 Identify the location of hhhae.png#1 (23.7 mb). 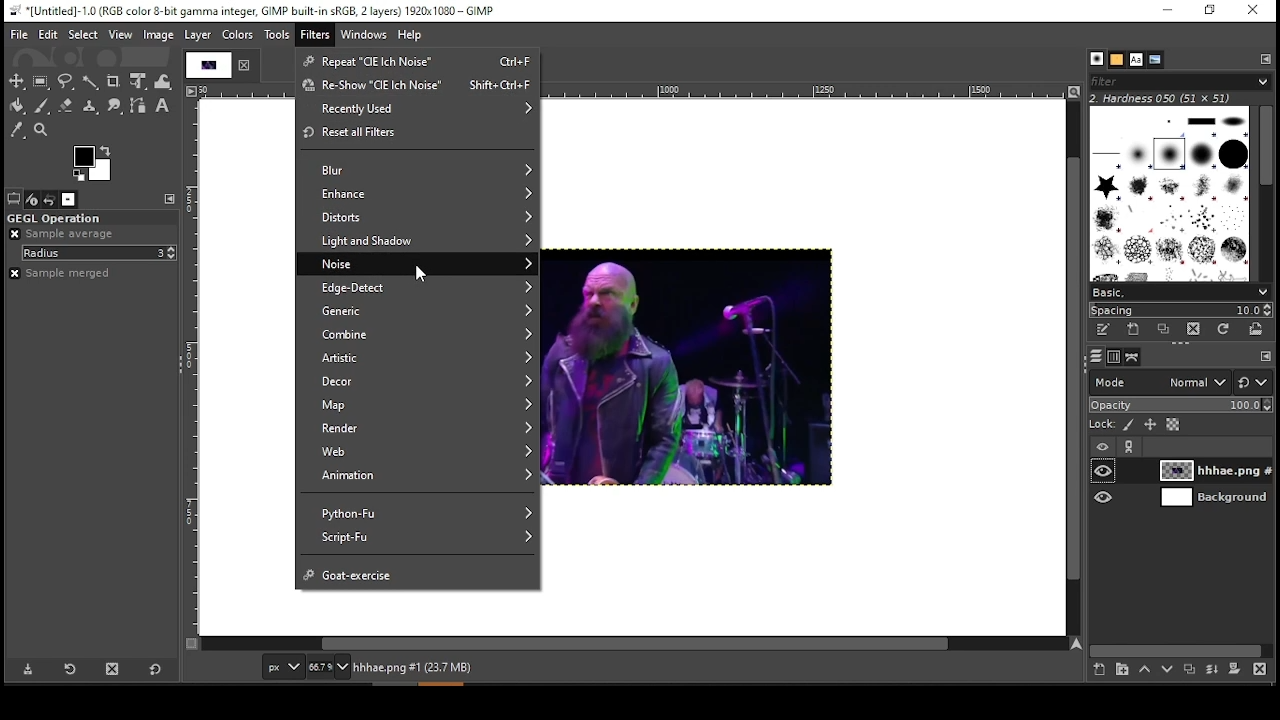
(415, 667).